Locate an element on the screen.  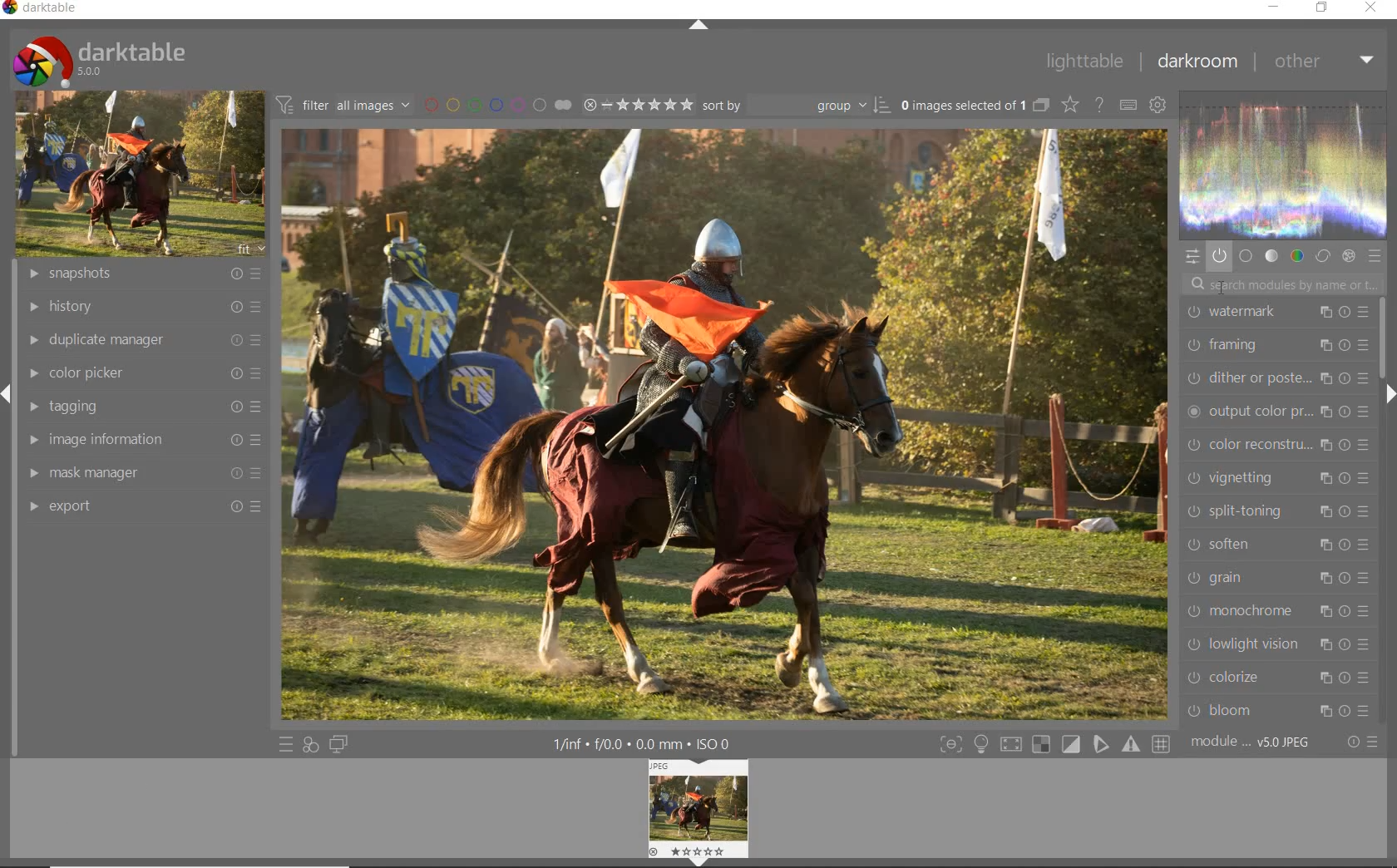
darkroom is located at coordinates (1197, 63).